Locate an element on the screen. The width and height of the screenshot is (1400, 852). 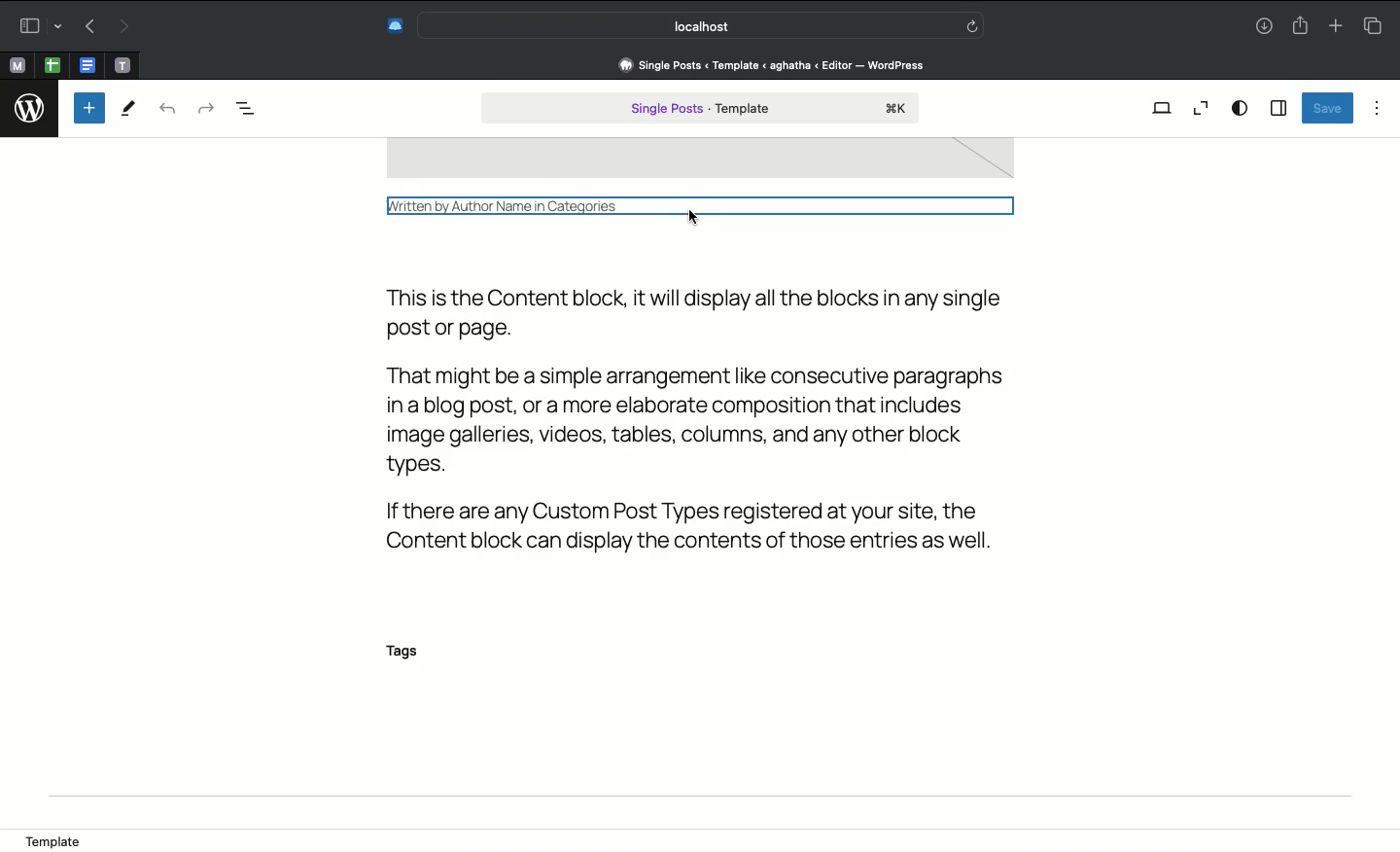
Sidebar is located at coordinates (36, 26).